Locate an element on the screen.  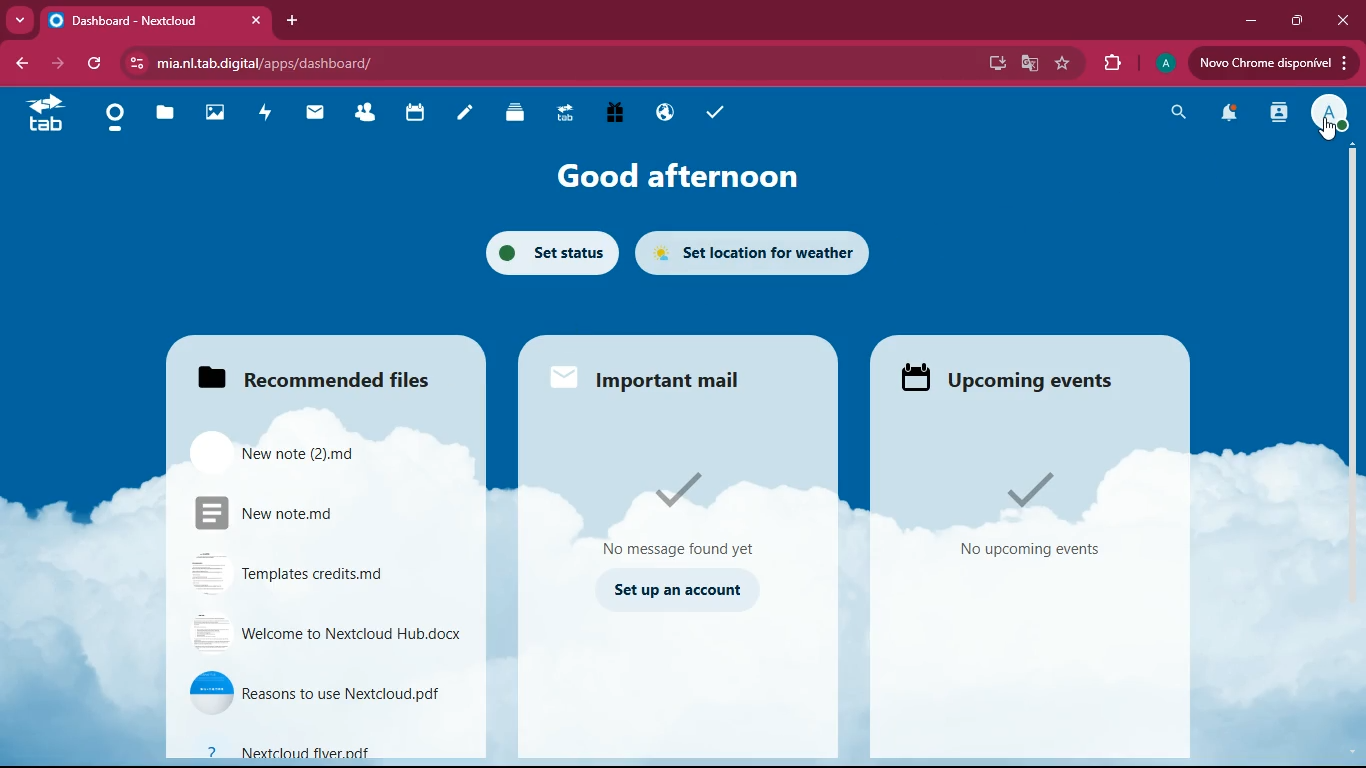
images is located at coordinates (215, 115).